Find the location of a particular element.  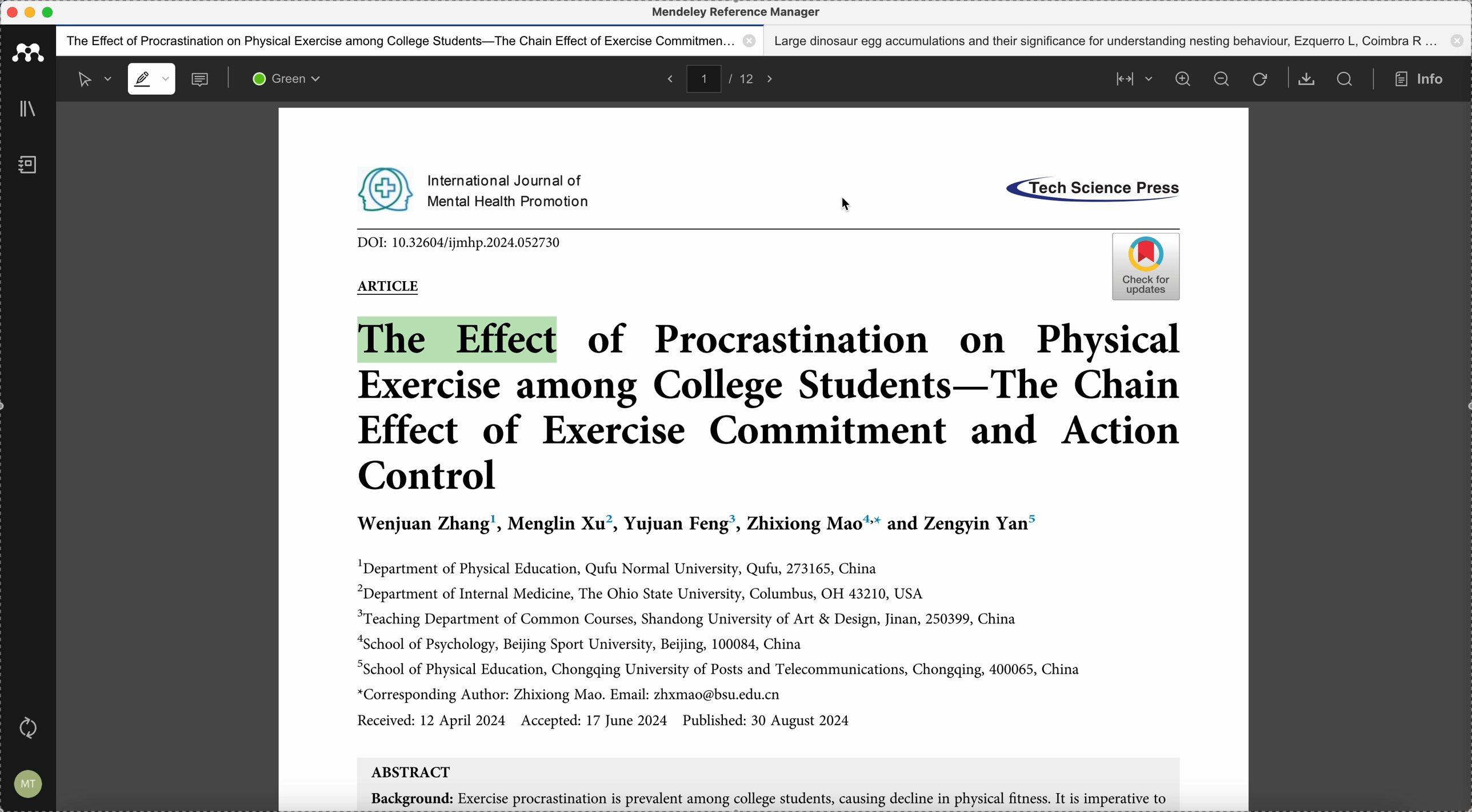

green color is located at coordinates (289, 81).